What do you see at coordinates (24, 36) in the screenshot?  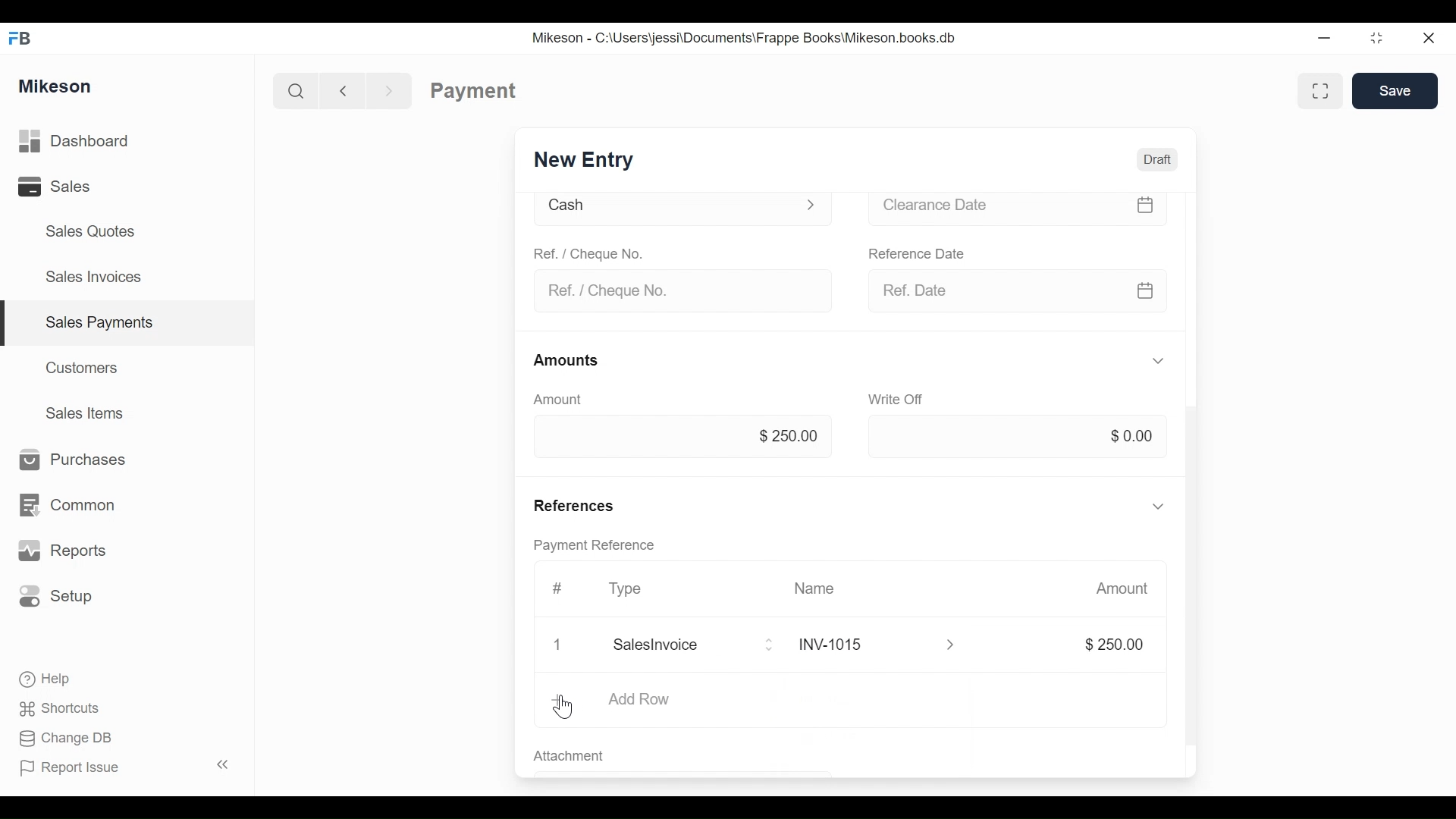 I see `FB` at bounding box center [24, 36].